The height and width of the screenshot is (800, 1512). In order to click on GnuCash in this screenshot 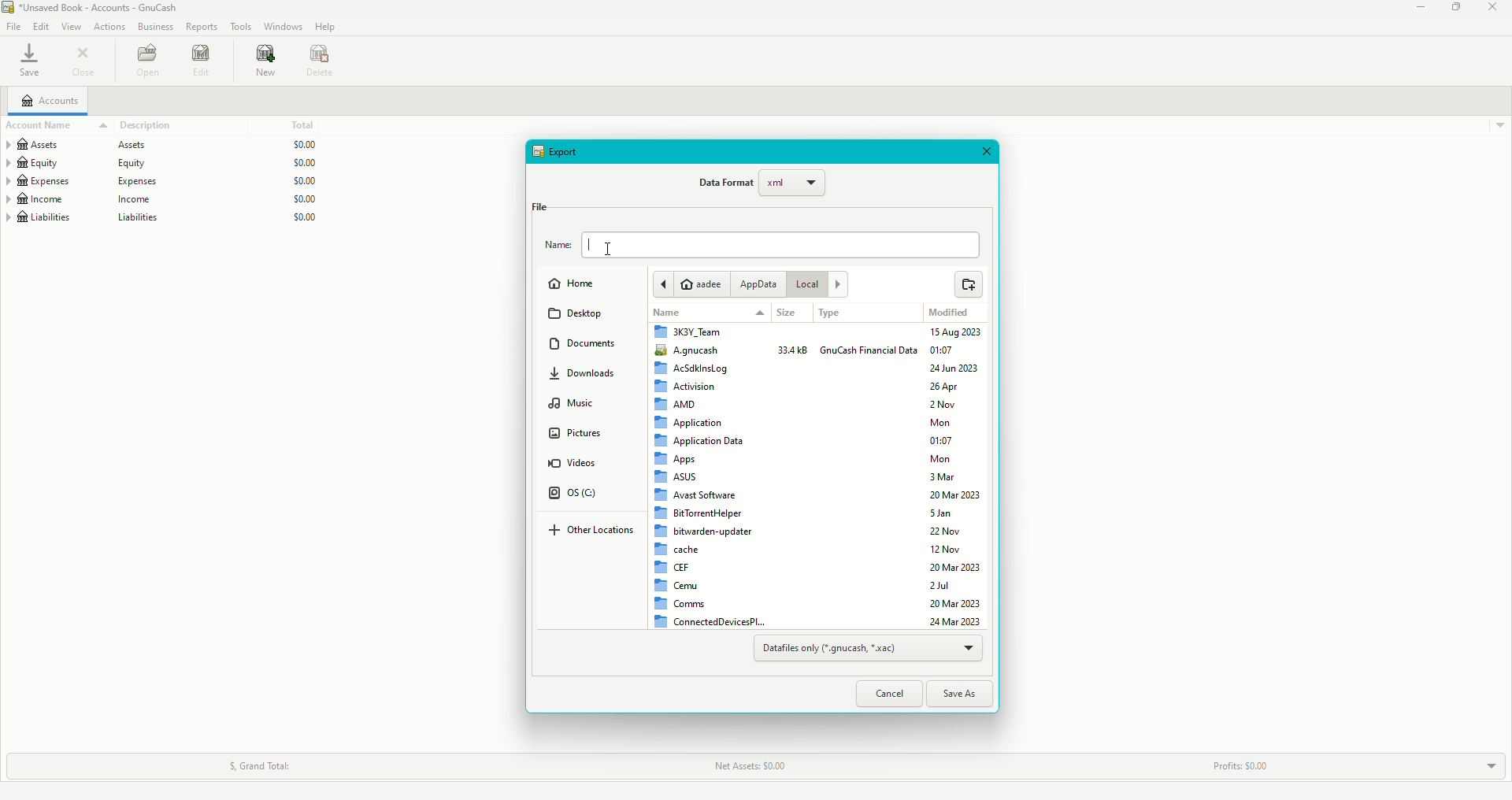, I will do `click(869, 351)`.